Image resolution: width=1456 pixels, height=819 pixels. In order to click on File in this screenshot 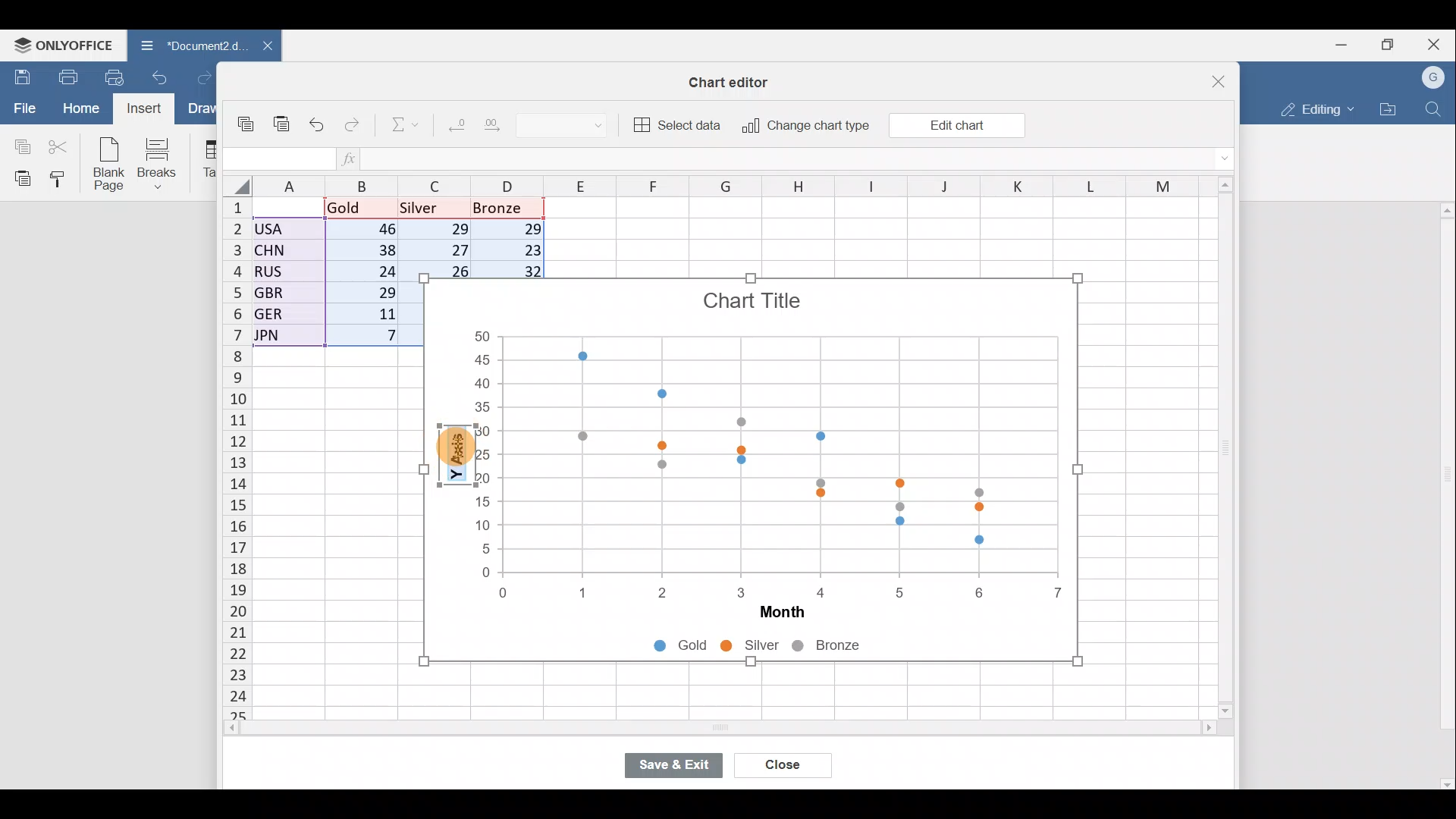, I will do `click(19, 109)`.